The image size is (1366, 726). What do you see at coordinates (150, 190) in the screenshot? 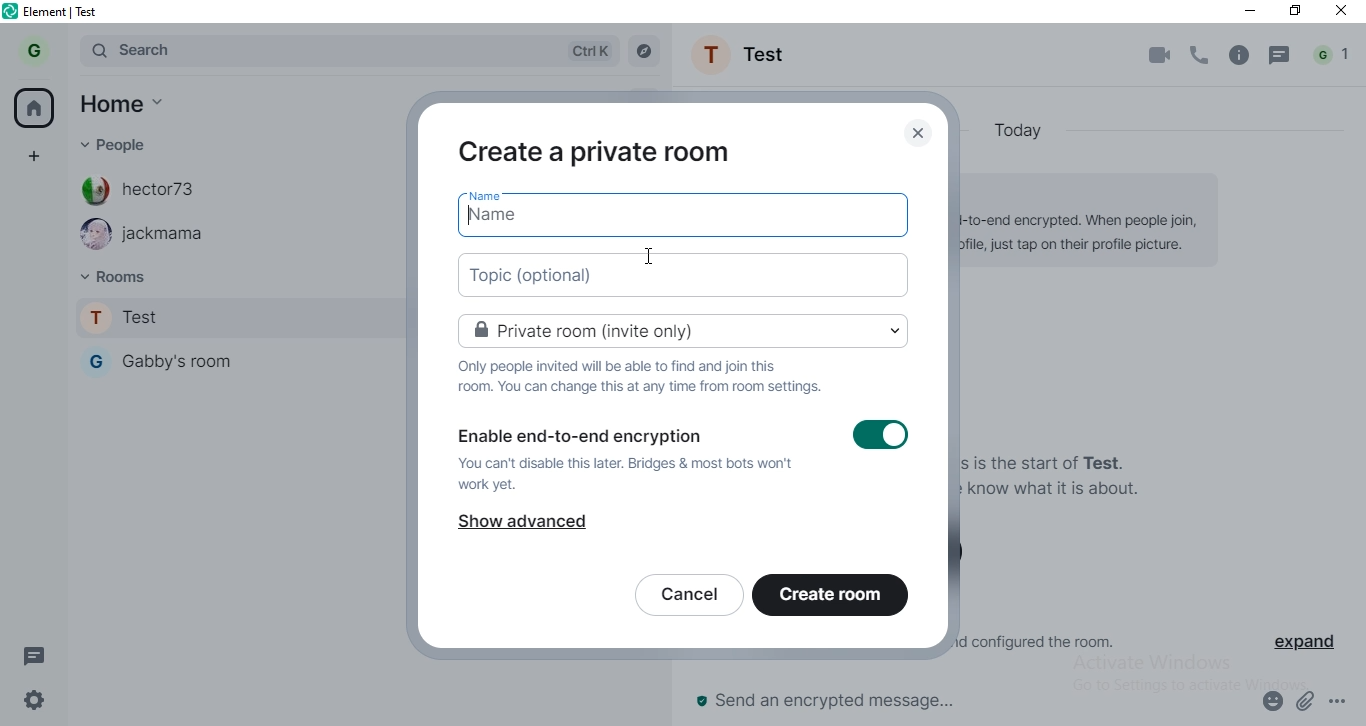
I see `hector73` at bounding box center [150, 190].